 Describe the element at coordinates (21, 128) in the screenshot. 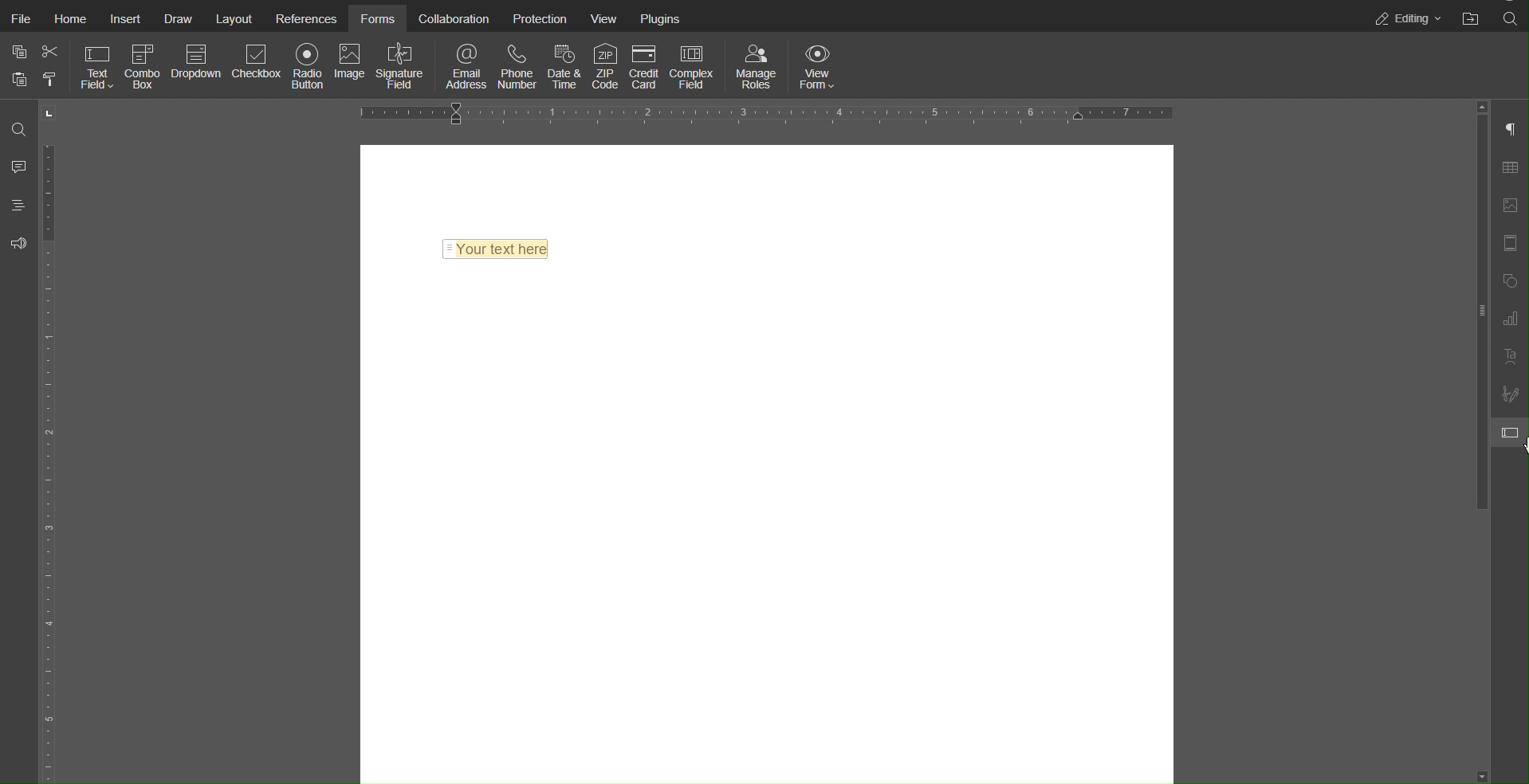

I see `Search` at that location.